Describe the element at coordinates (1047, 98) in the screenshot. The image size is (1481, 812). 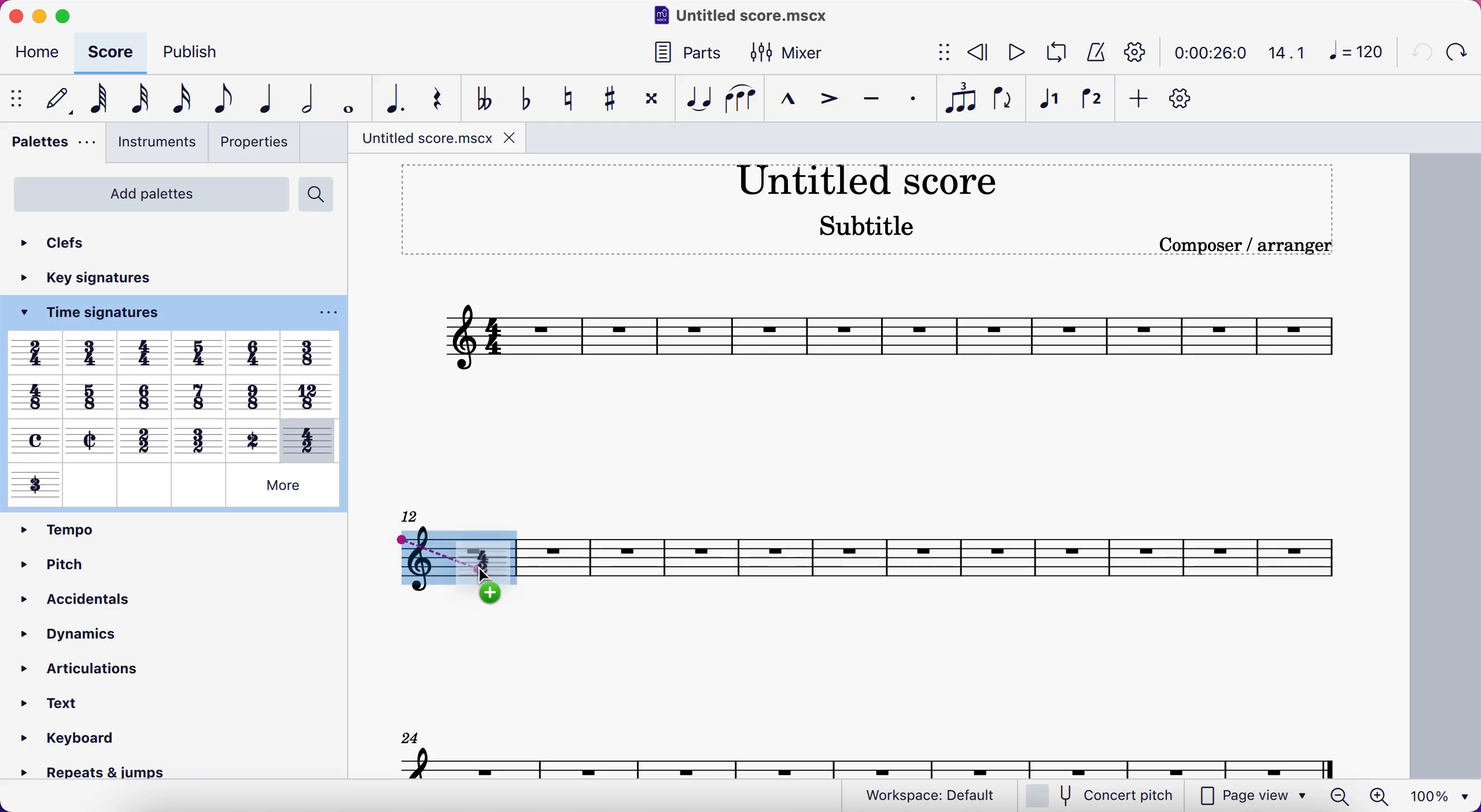
I see `voice 1` at that location.